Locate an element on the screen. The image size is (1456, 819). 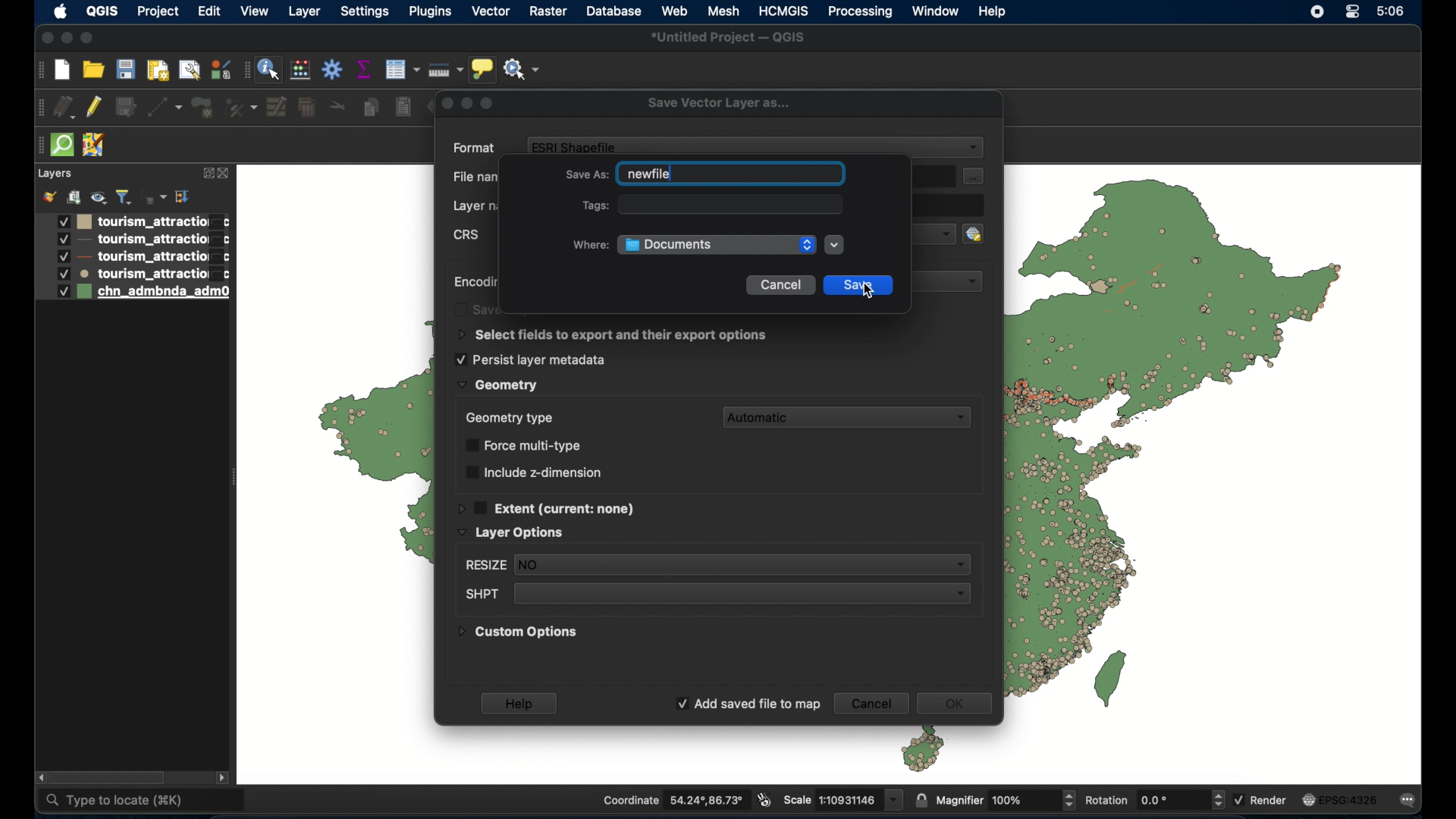
settings is located at coordinates (364, 13).